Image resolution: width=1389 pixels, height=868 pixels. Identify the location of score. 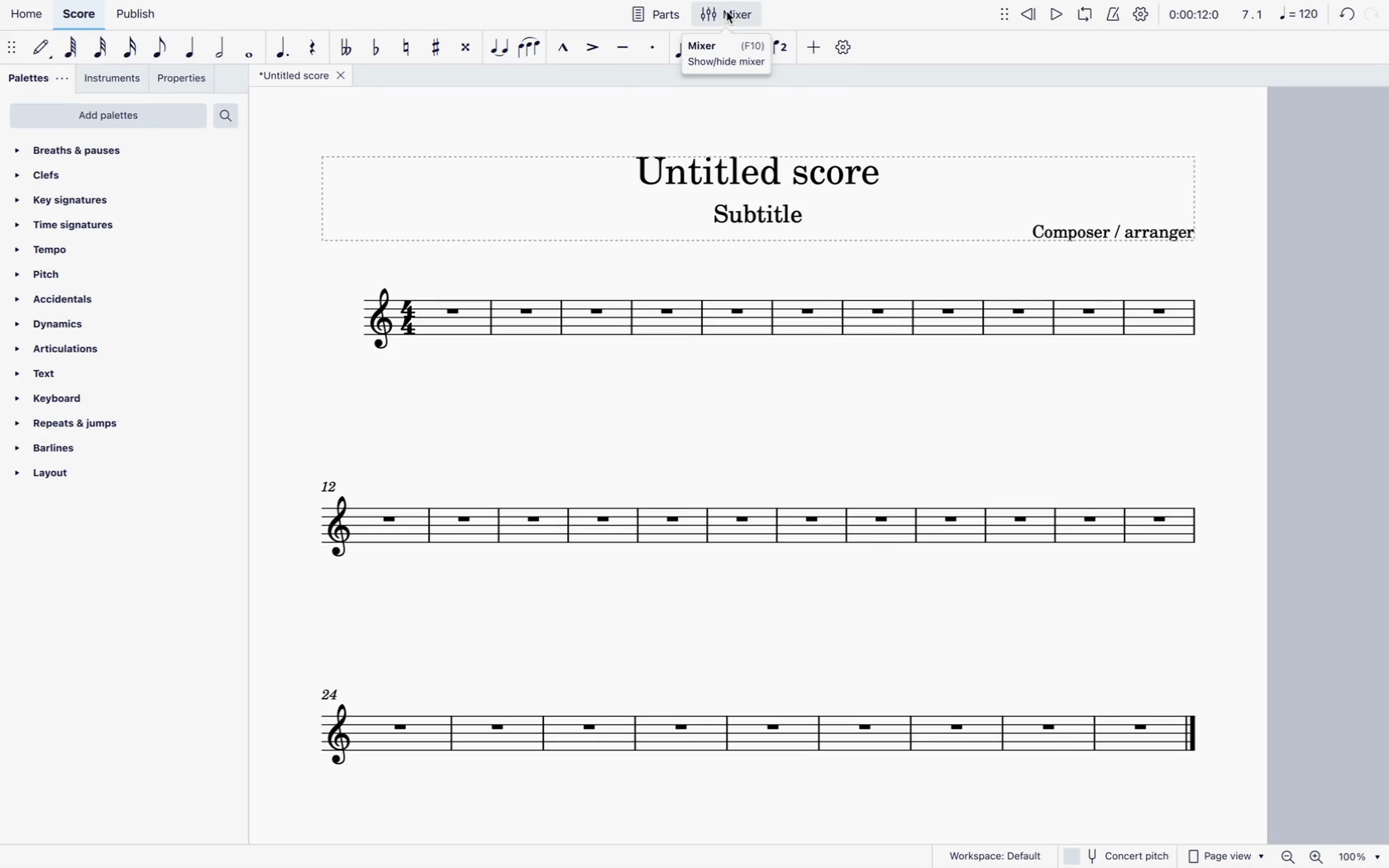
(741, 527).